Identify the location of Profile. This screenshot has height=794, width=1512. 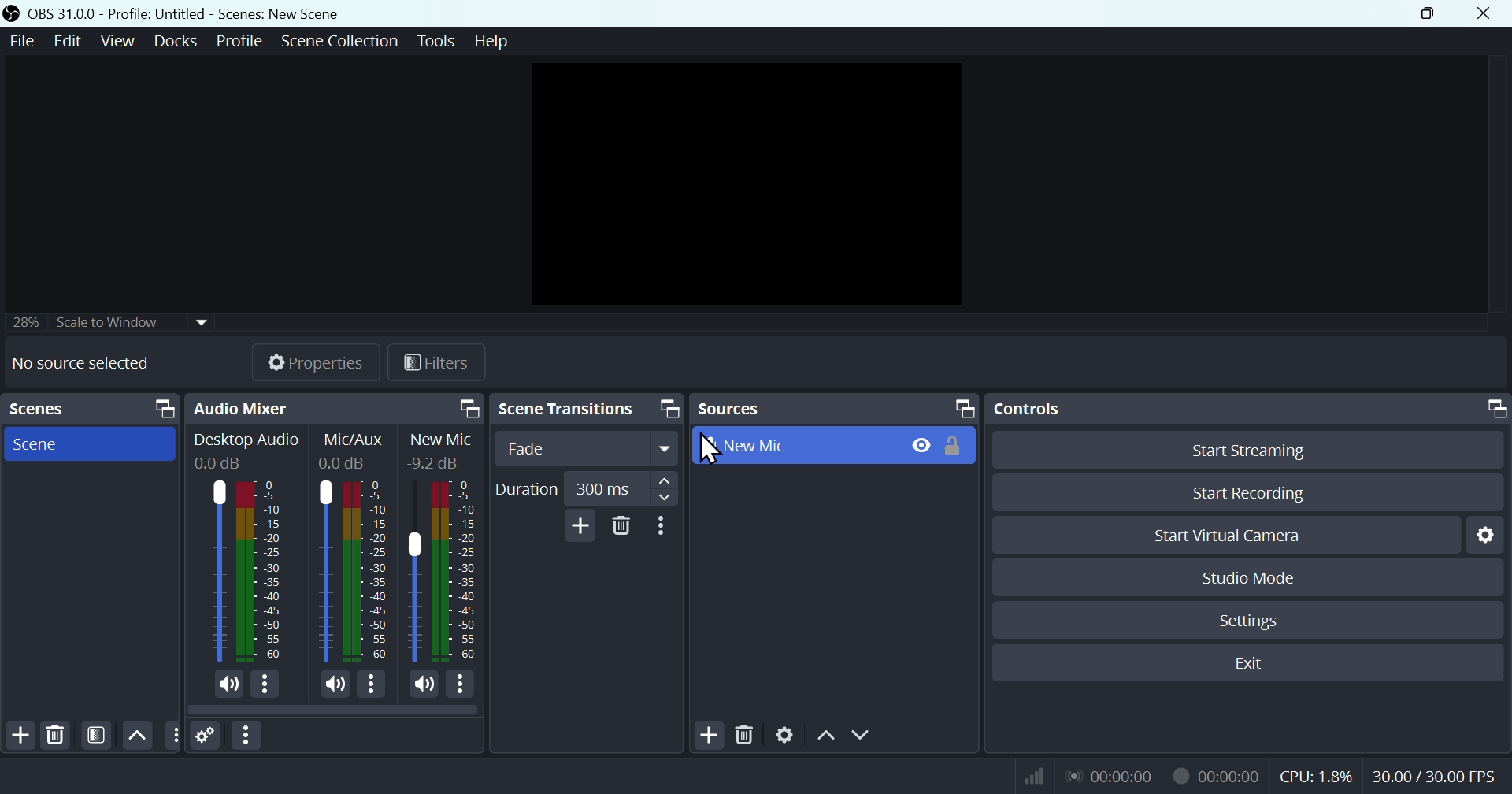
(236, 43).